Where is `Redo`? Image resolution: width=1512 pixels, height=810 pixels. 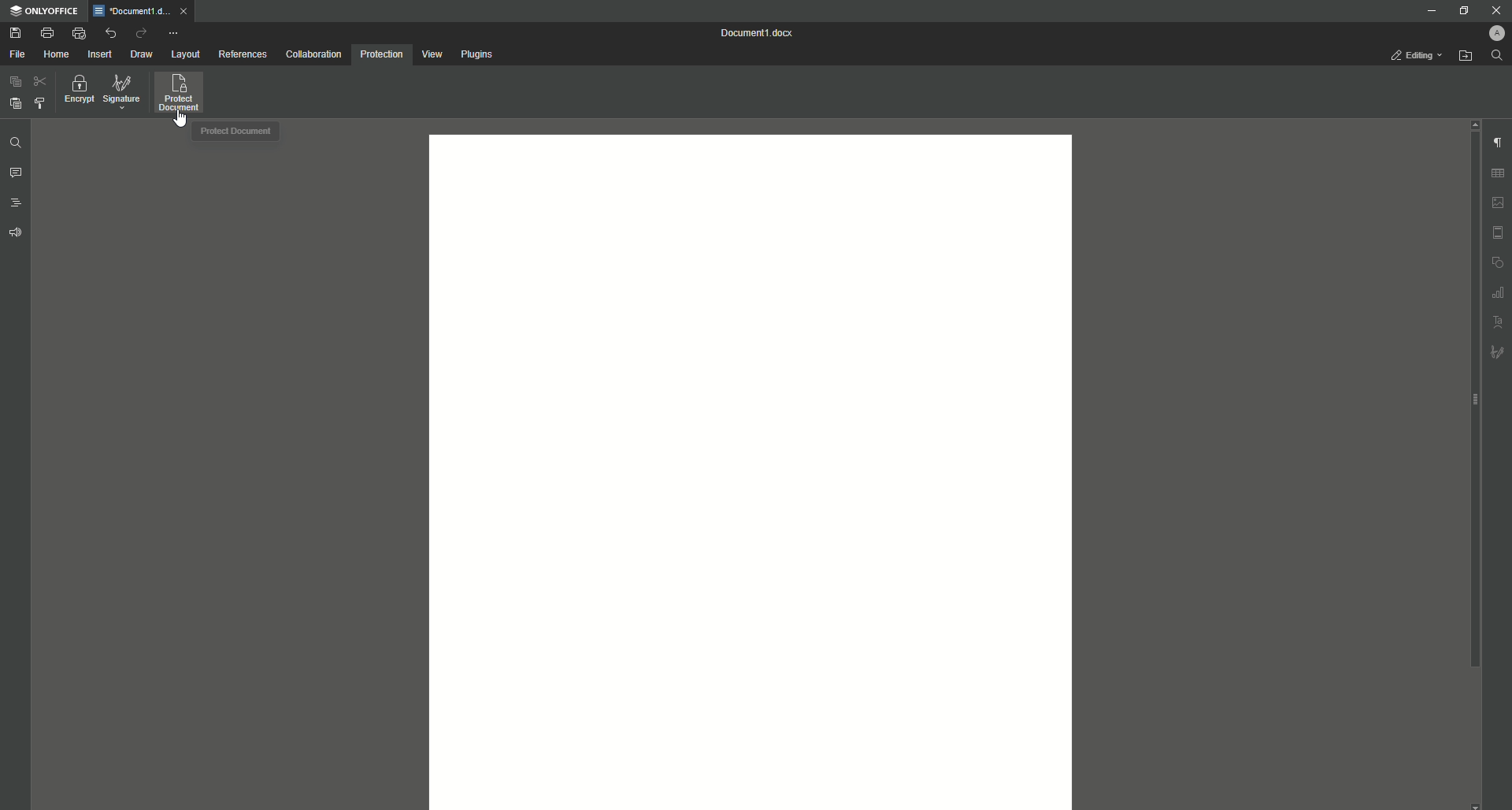 Redo is located at coordinates (141, 32).